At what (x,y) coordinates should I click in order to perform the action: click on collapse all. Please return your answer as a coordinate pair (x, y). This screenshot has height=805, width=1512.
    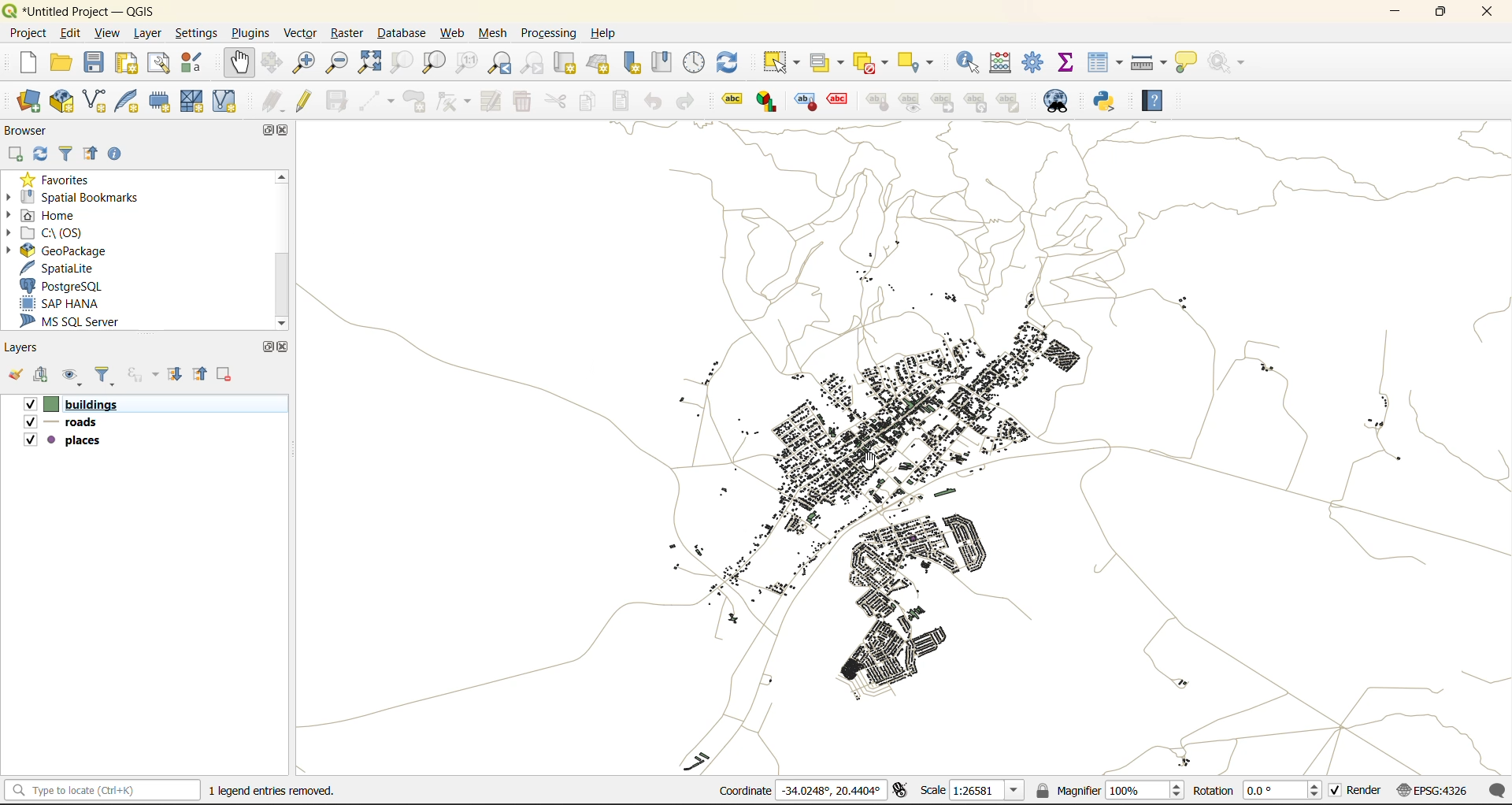
    Looking at the image, I should click on (94, 152).